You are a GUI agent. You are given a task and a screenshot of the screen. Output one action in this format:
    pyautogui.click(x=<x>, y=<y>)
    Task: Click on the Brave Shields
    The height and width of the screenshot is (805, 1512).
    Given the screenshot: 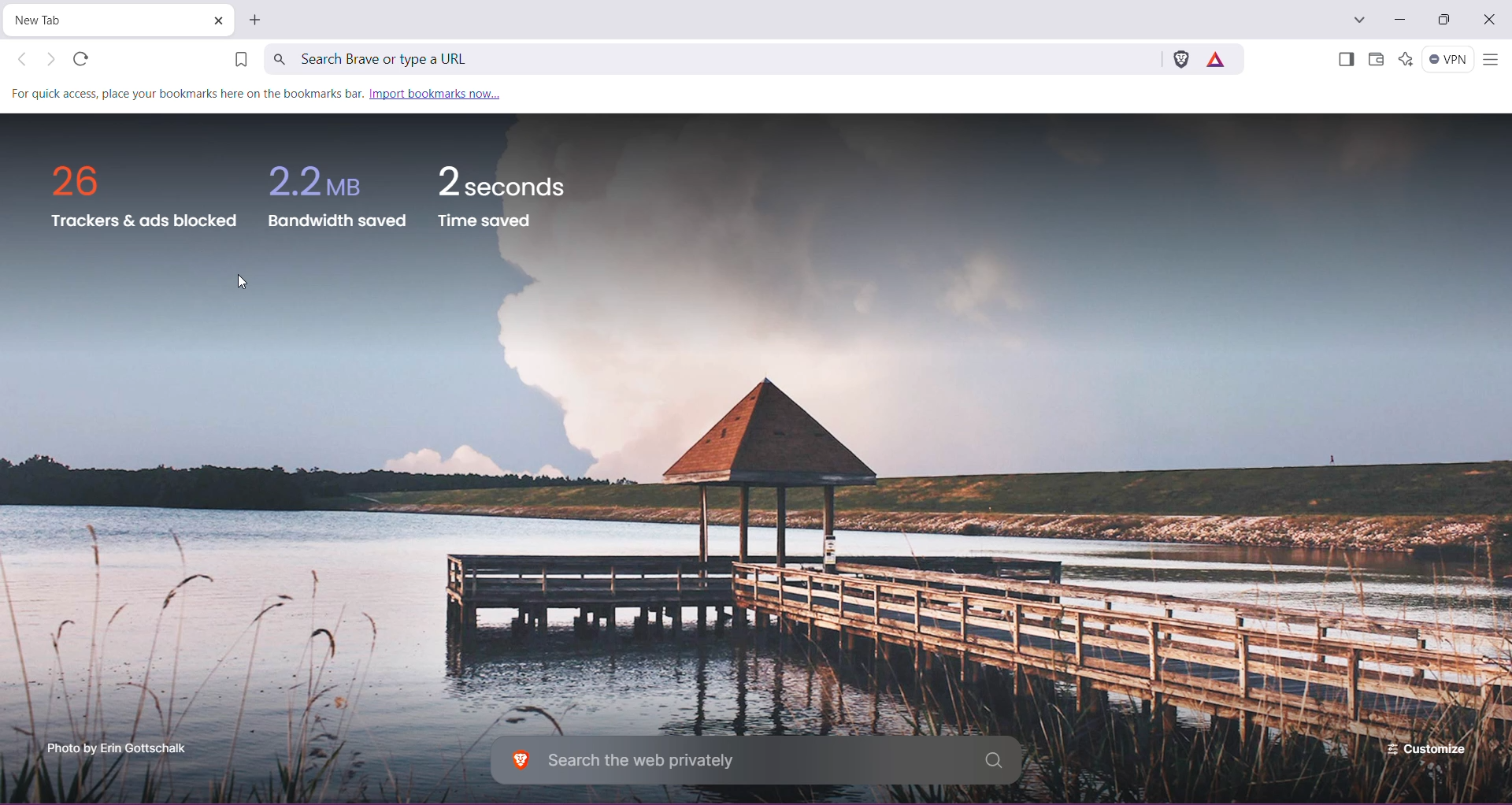 What is the action you would take?
    pyautogui.click(x=1183, y=59)
    